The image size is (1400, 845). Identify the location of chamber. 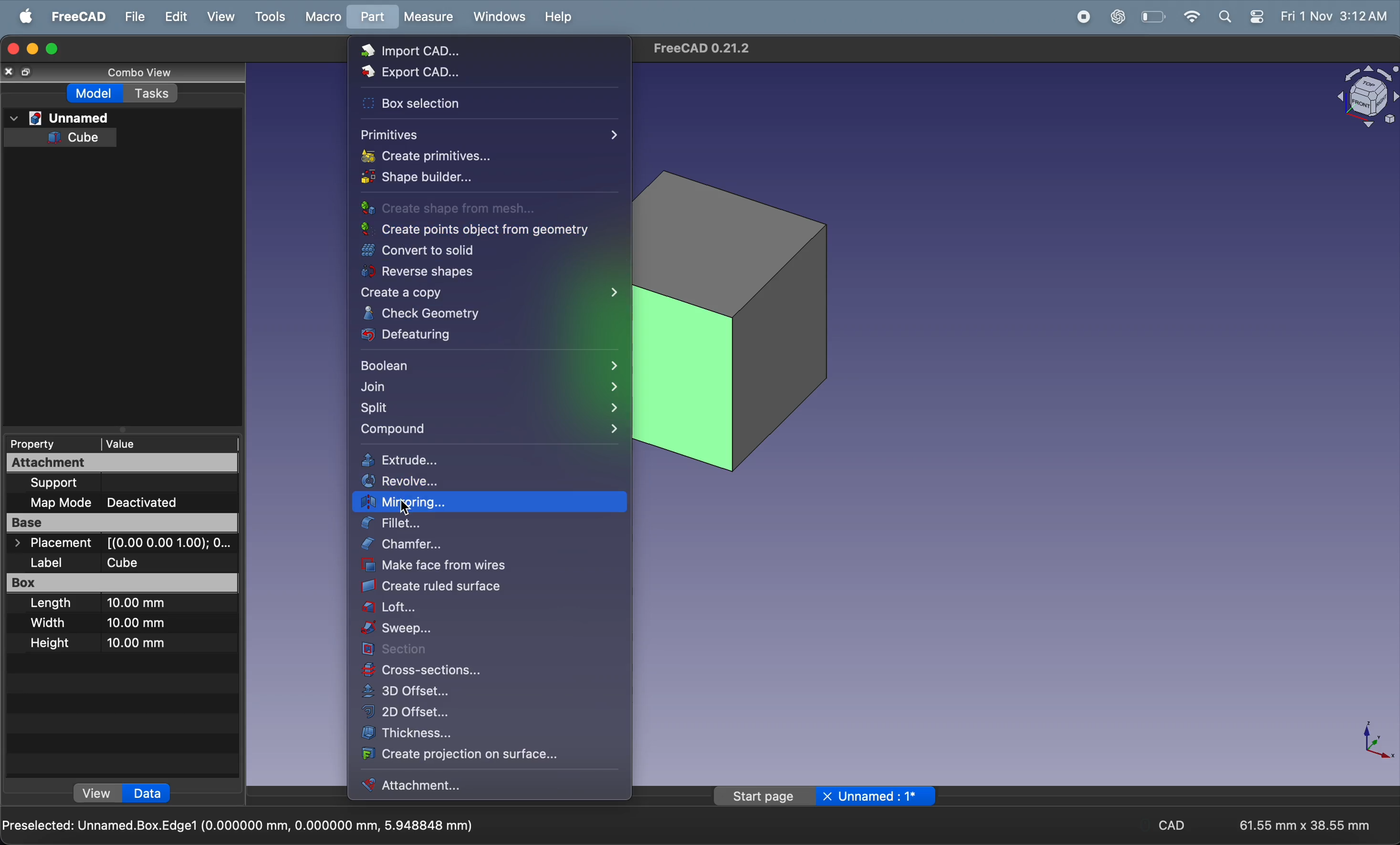
(491, 545).